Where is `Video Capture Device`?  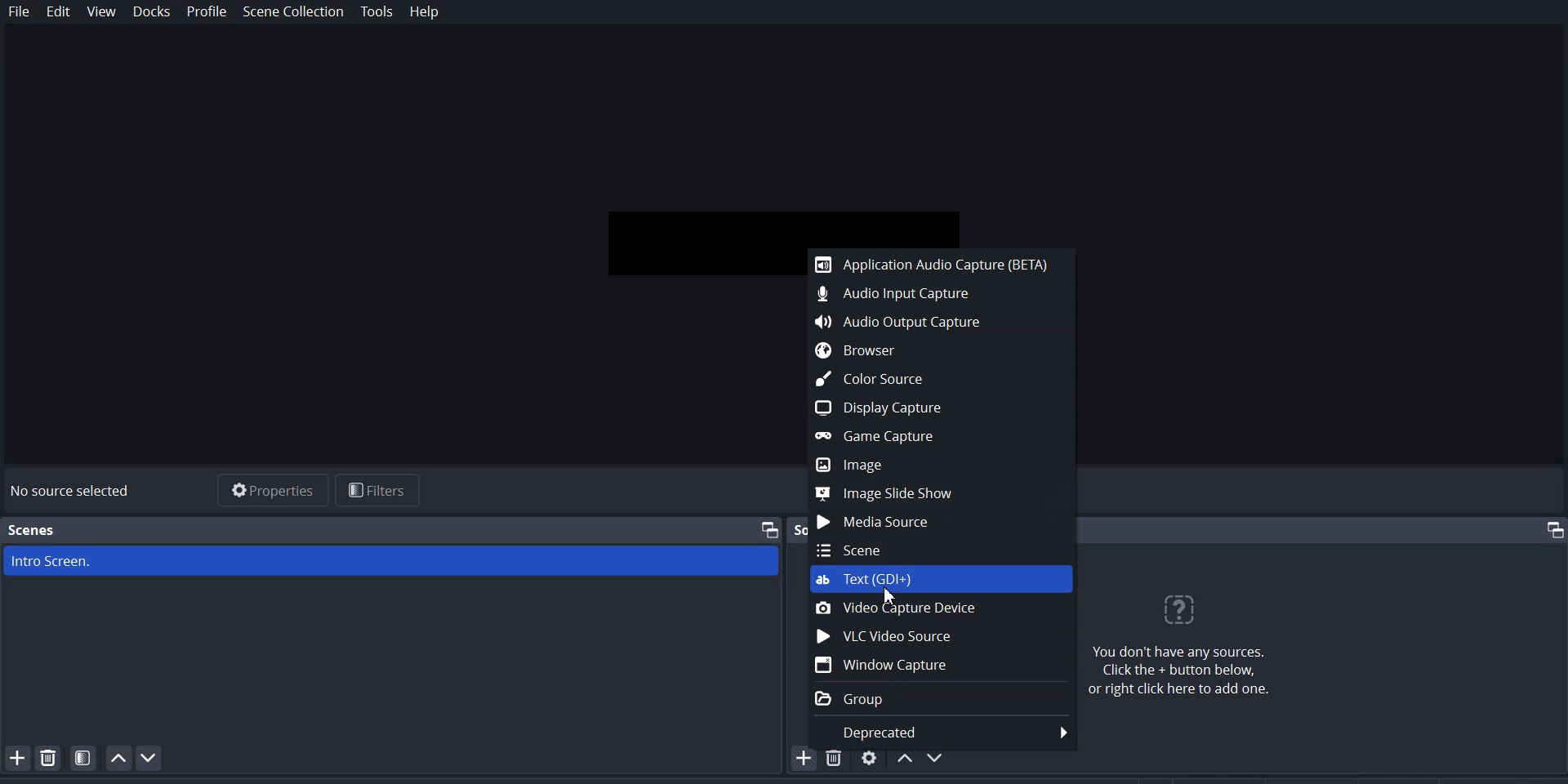
Video Capture Device is located at coordinates (942, 608).